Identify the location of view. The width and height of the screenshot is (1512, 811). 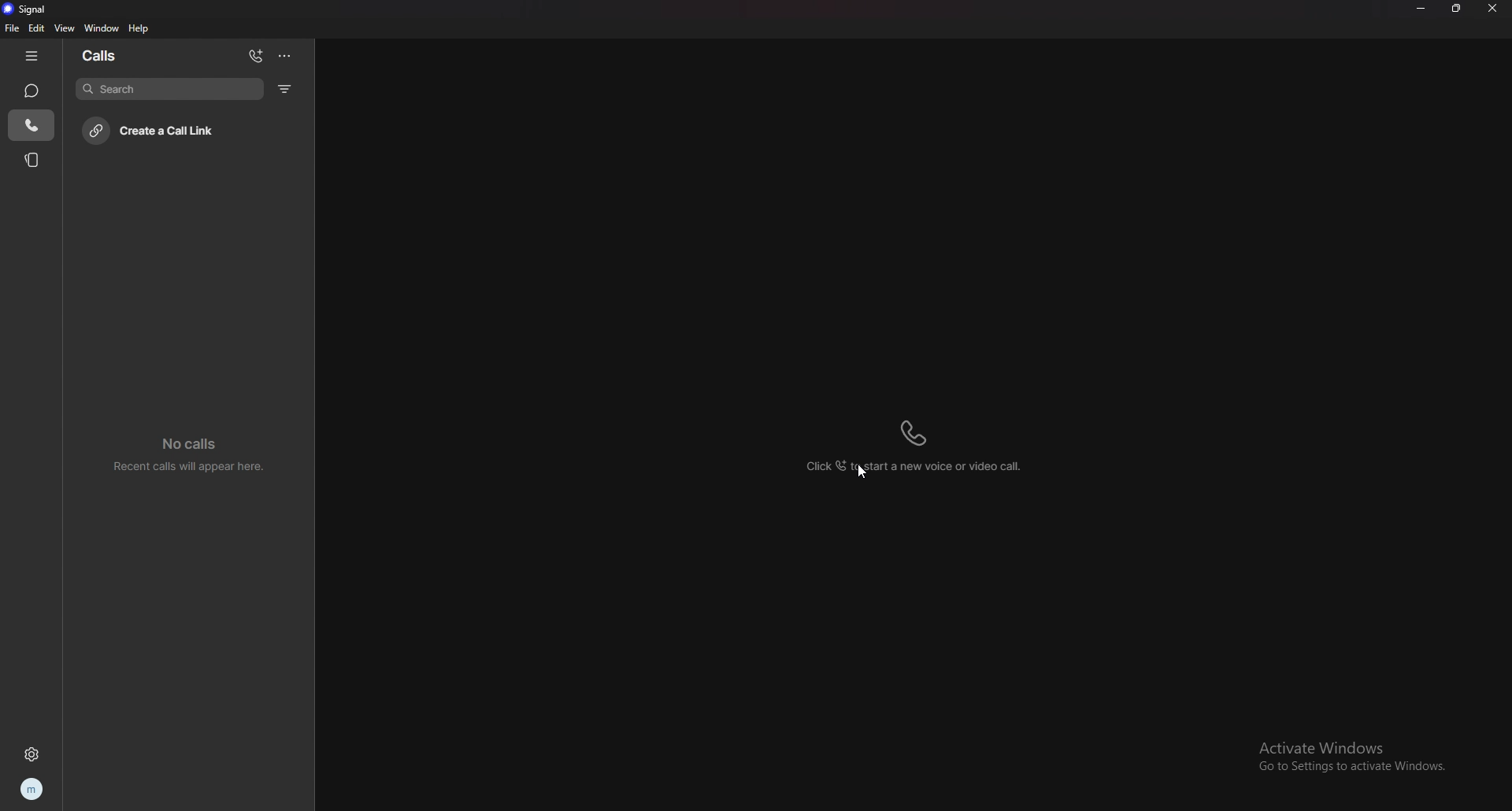
(67, 28).